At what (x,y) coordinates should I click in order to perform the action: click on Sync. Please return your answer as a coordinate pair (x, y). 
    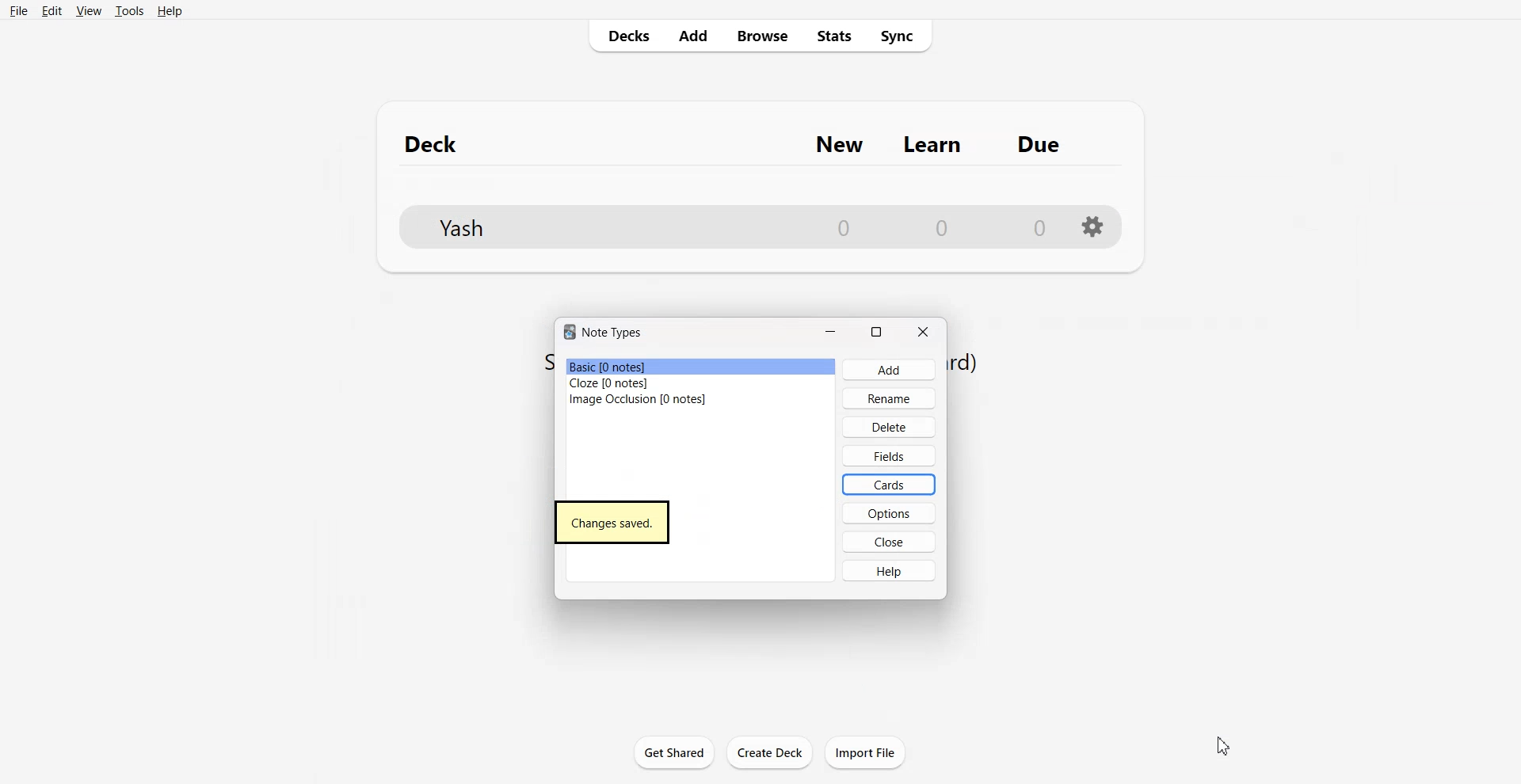
    Looking at the image, I should click on (900, 35).